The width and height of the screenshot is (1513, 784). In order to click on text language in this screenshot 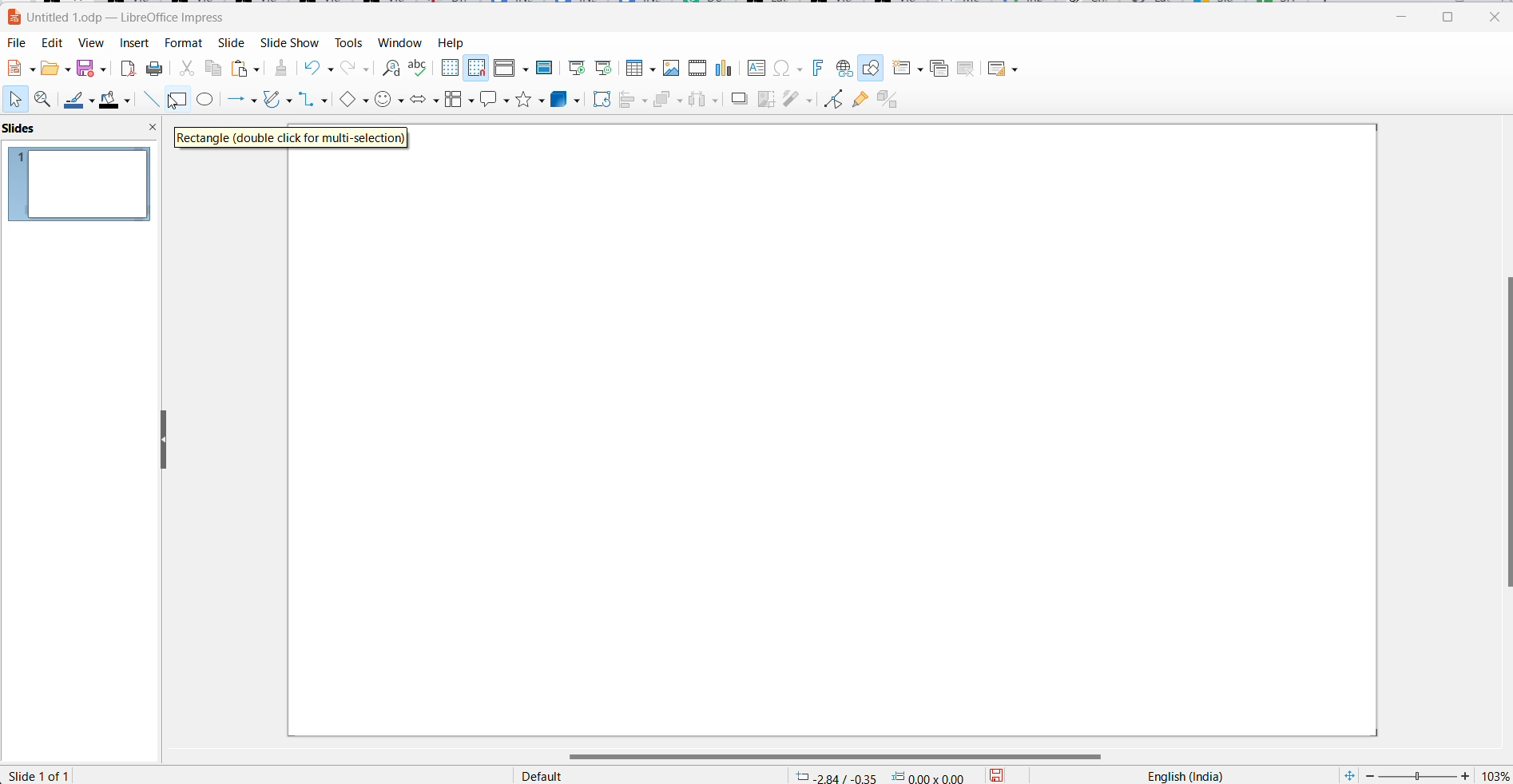, I will do `click(1181, 774)`.